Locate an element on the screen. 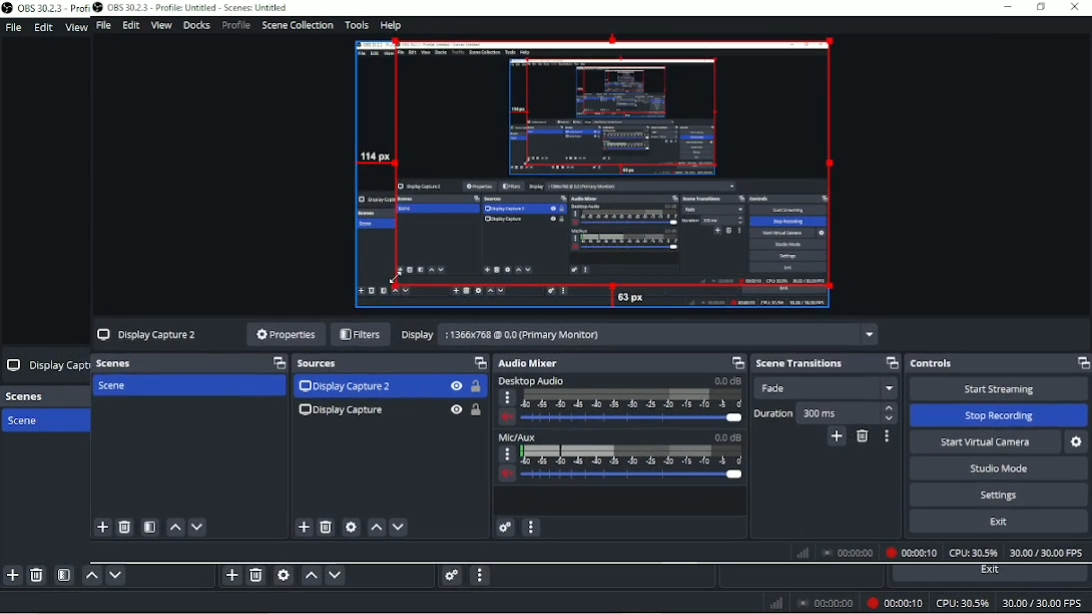 This screenshot has height=614, width=1092. Move scene up is located at coordinates (92, 575).